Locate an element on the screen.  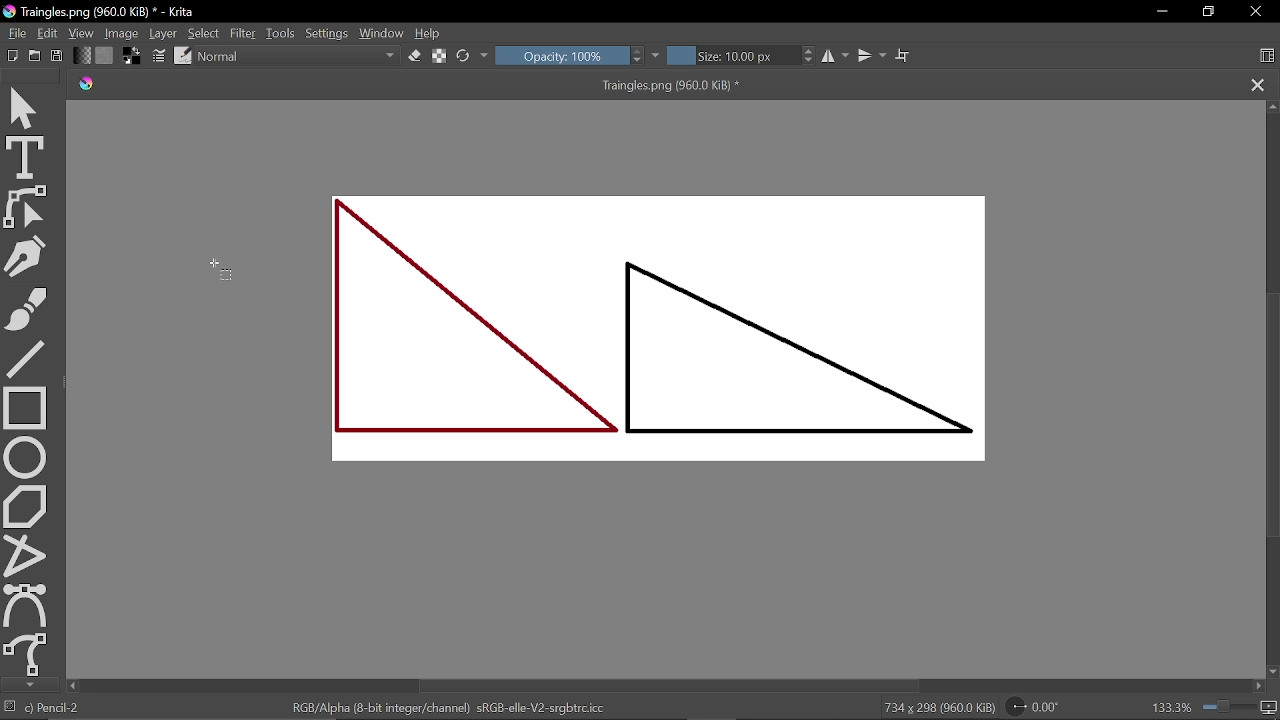
Close tab is located at coordinates (1257, 86).